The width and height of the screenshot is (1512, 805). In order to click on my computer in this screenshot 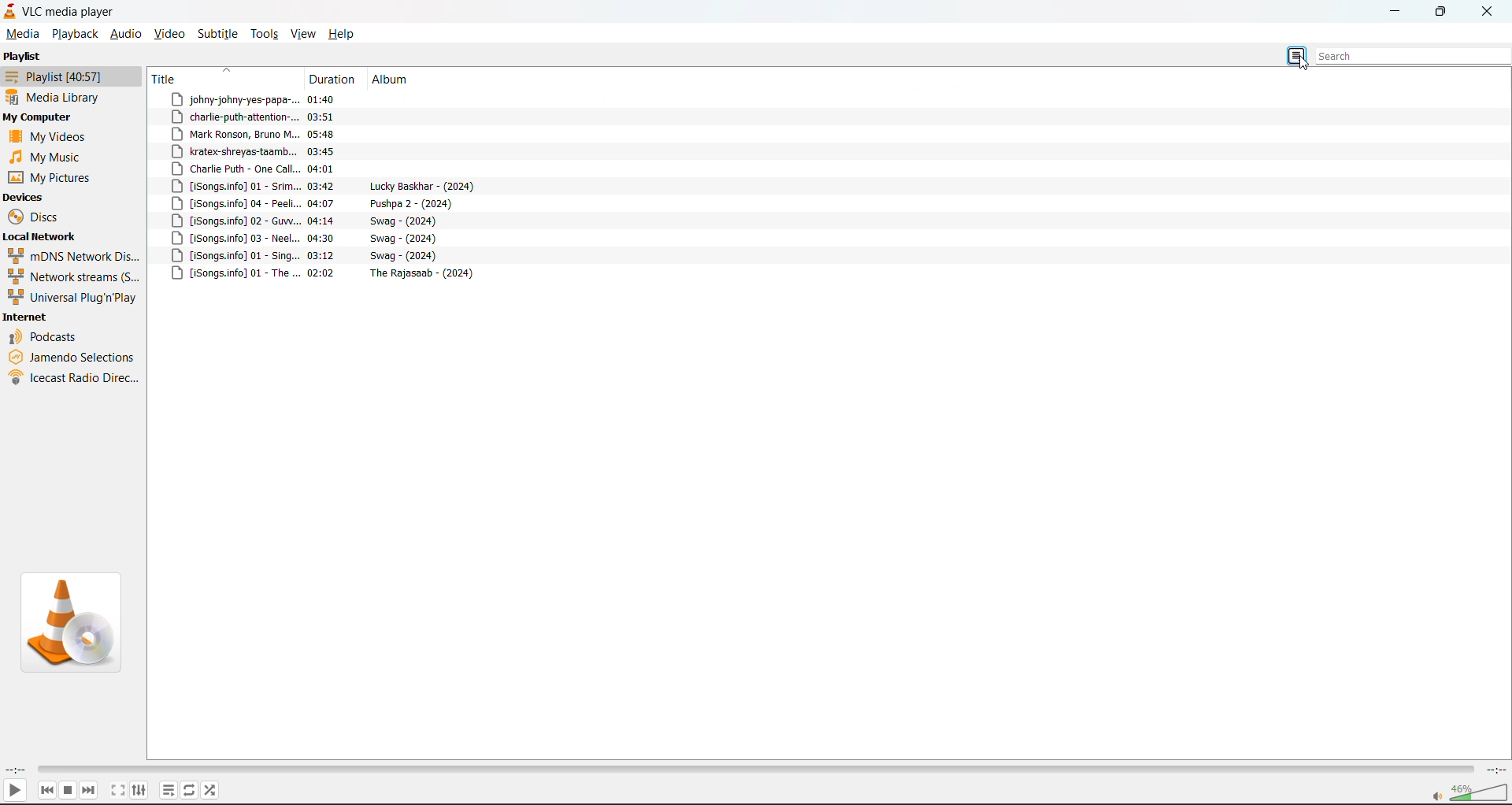, I will do `click(39, 117)`.